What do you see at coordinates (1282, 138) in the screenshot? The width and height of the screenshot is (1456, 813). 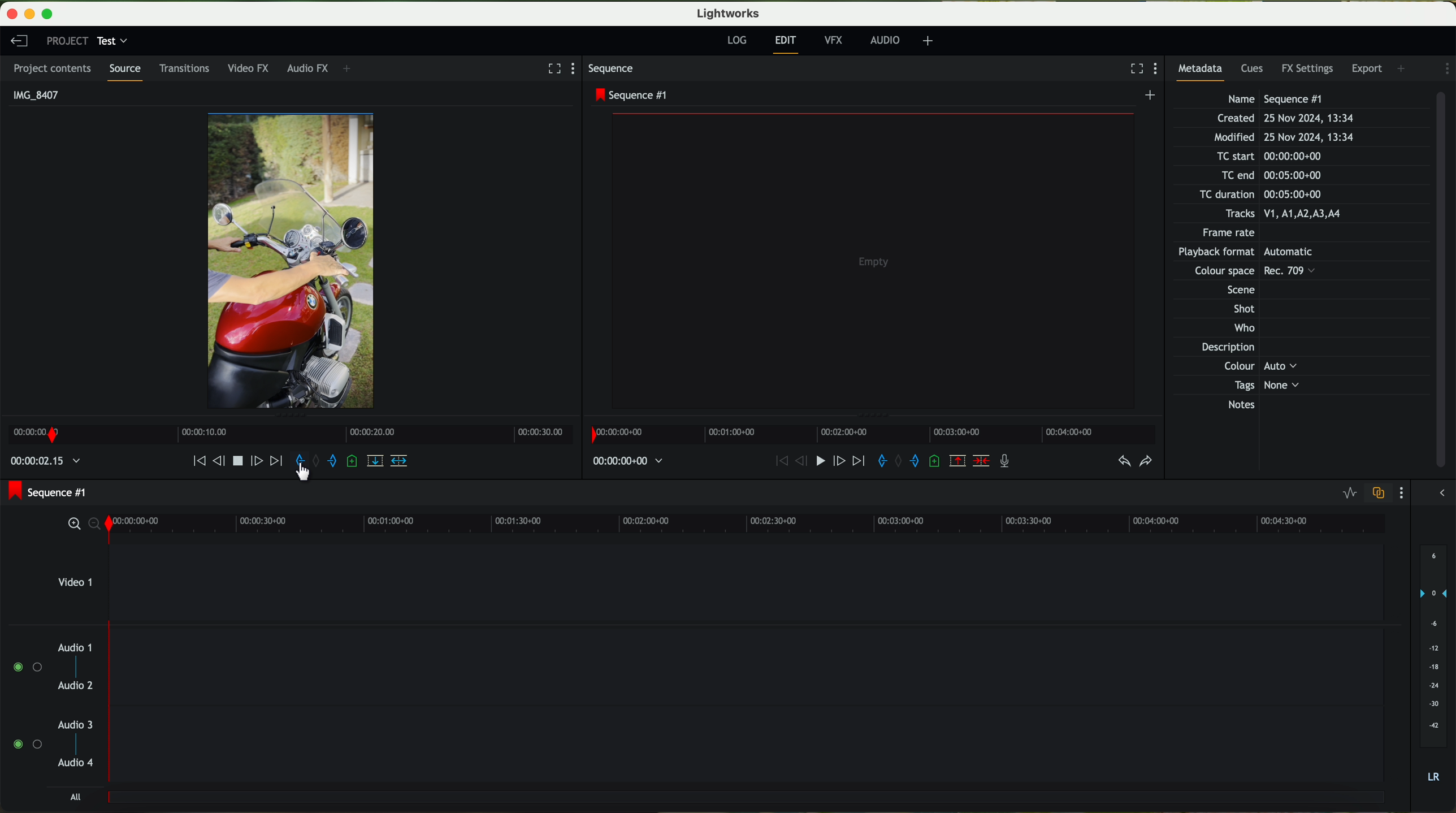 I see `Modified` at bounding box center [1282, 138].